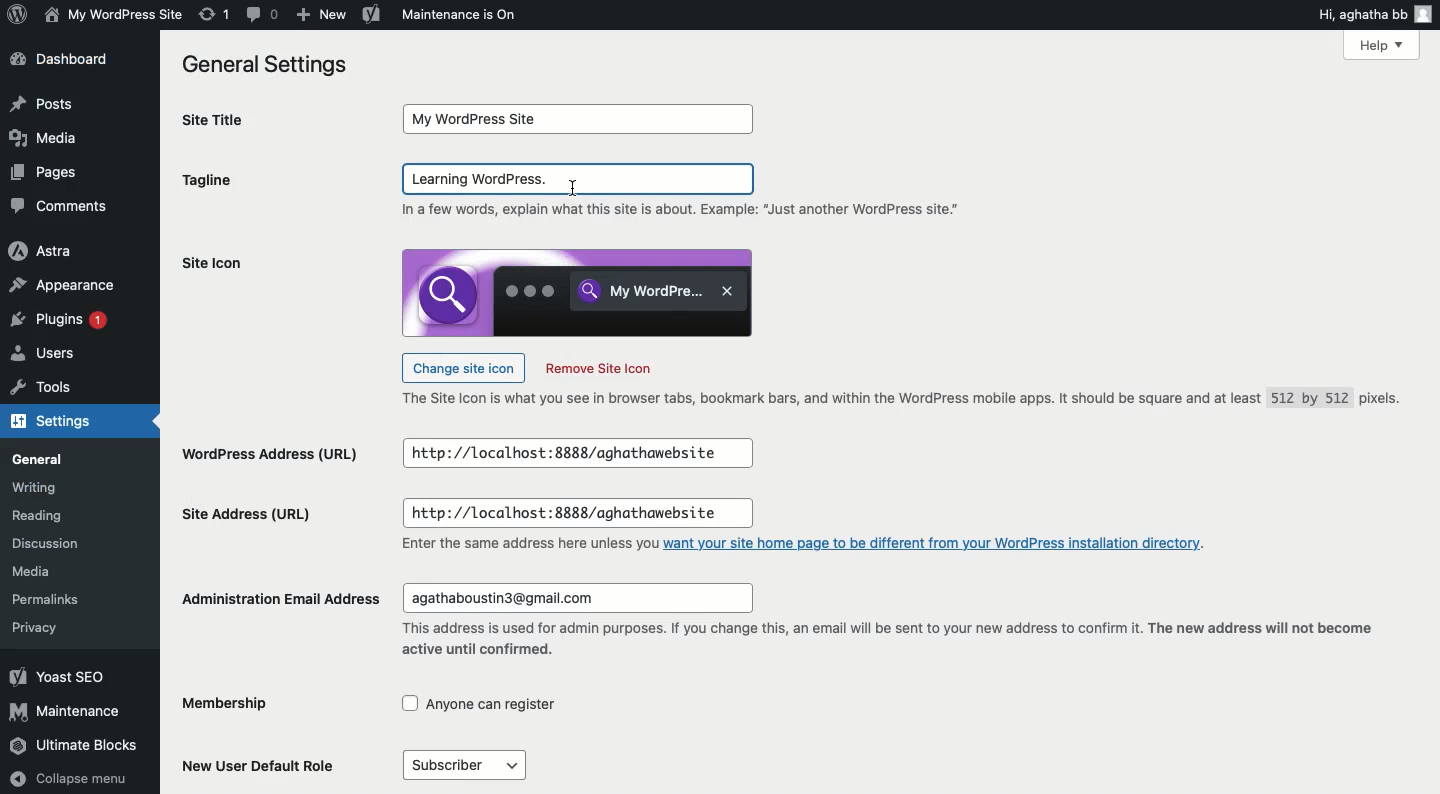  I want to click on Reading, so click(43, 517).